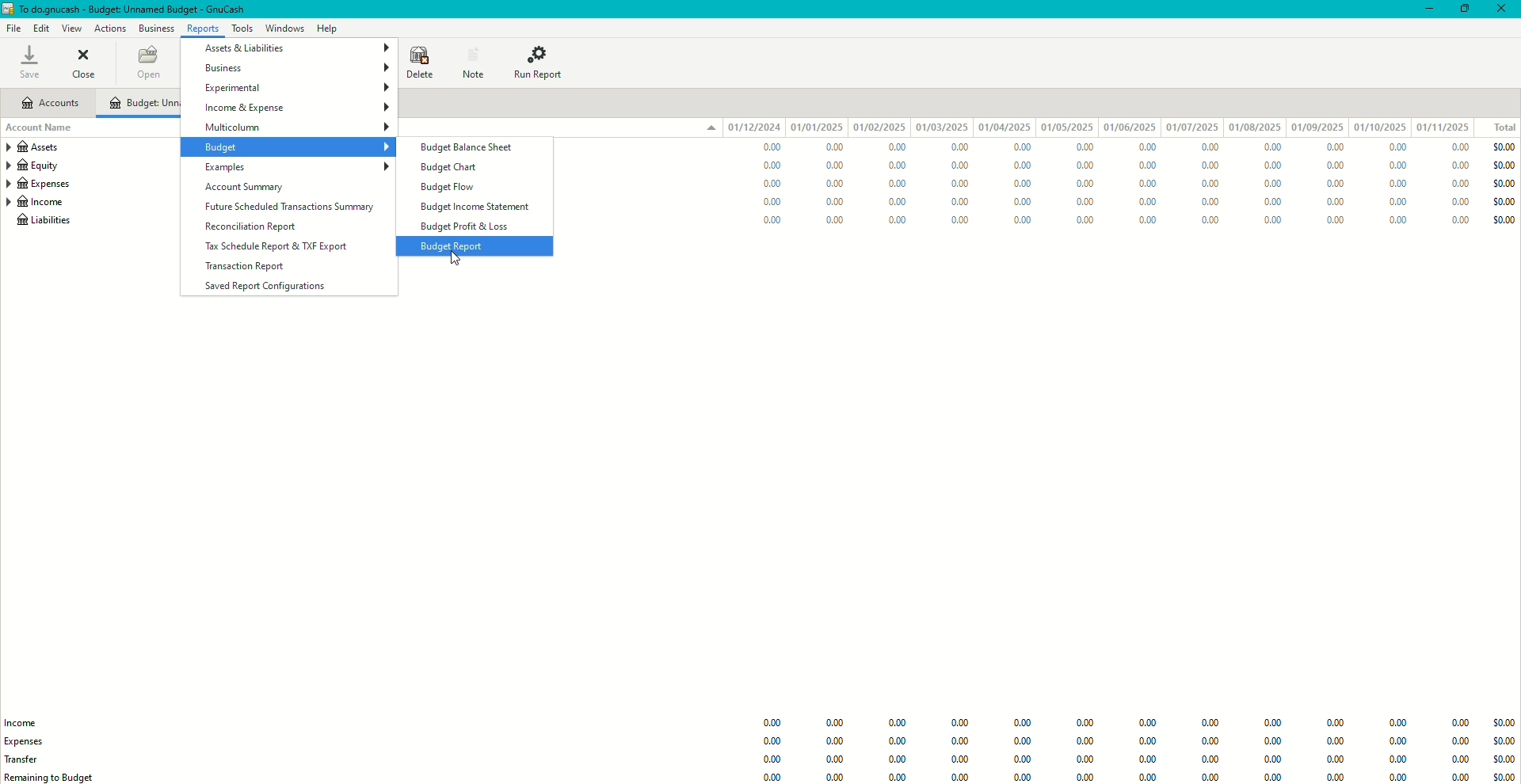  I want to click on Windows, so click(287, 28).